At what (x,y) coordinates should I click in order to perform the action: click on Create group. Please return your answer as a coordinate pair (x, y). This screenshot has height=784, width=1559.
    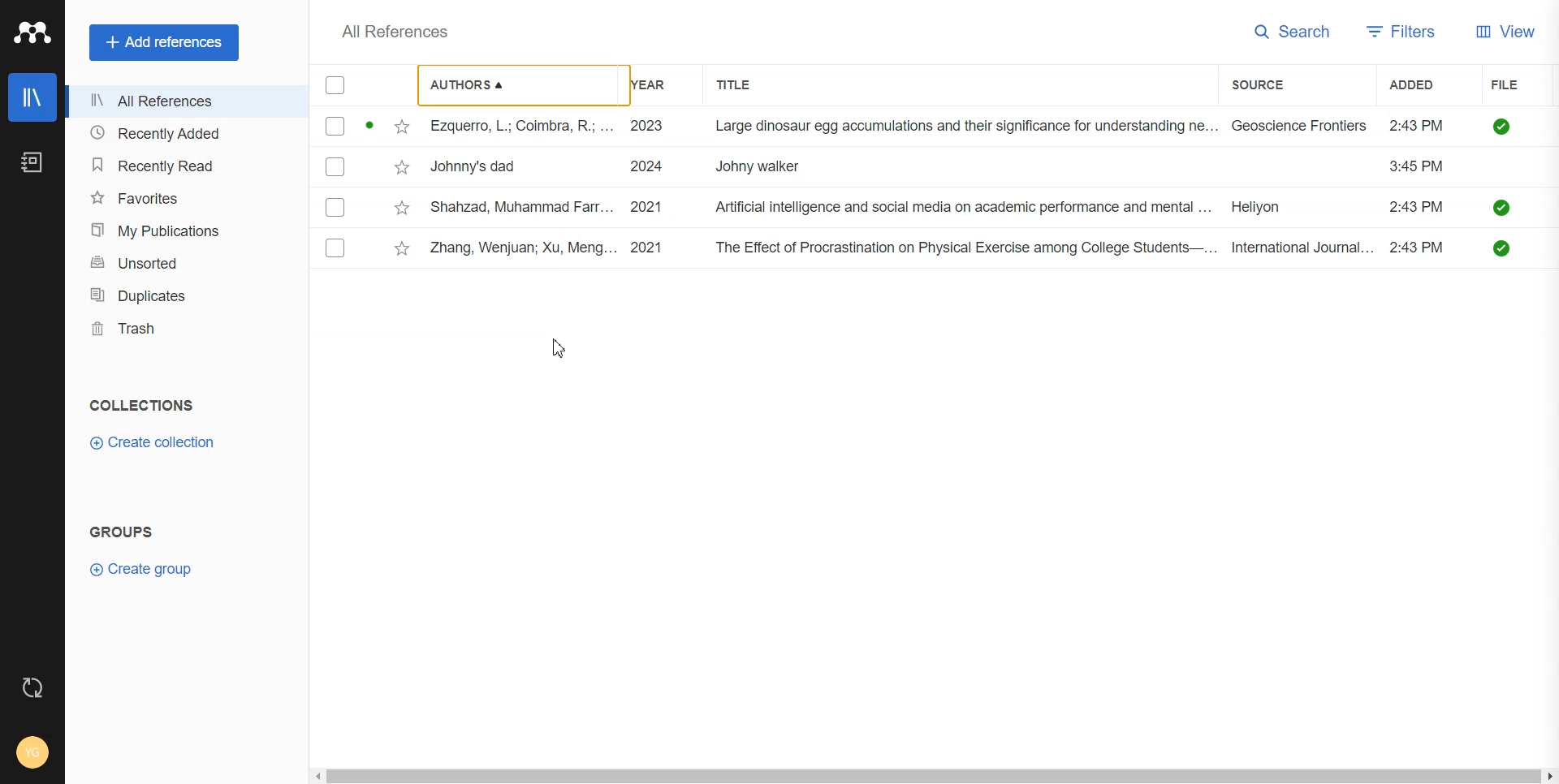
    Looking at the image, I should click on (149, 571).